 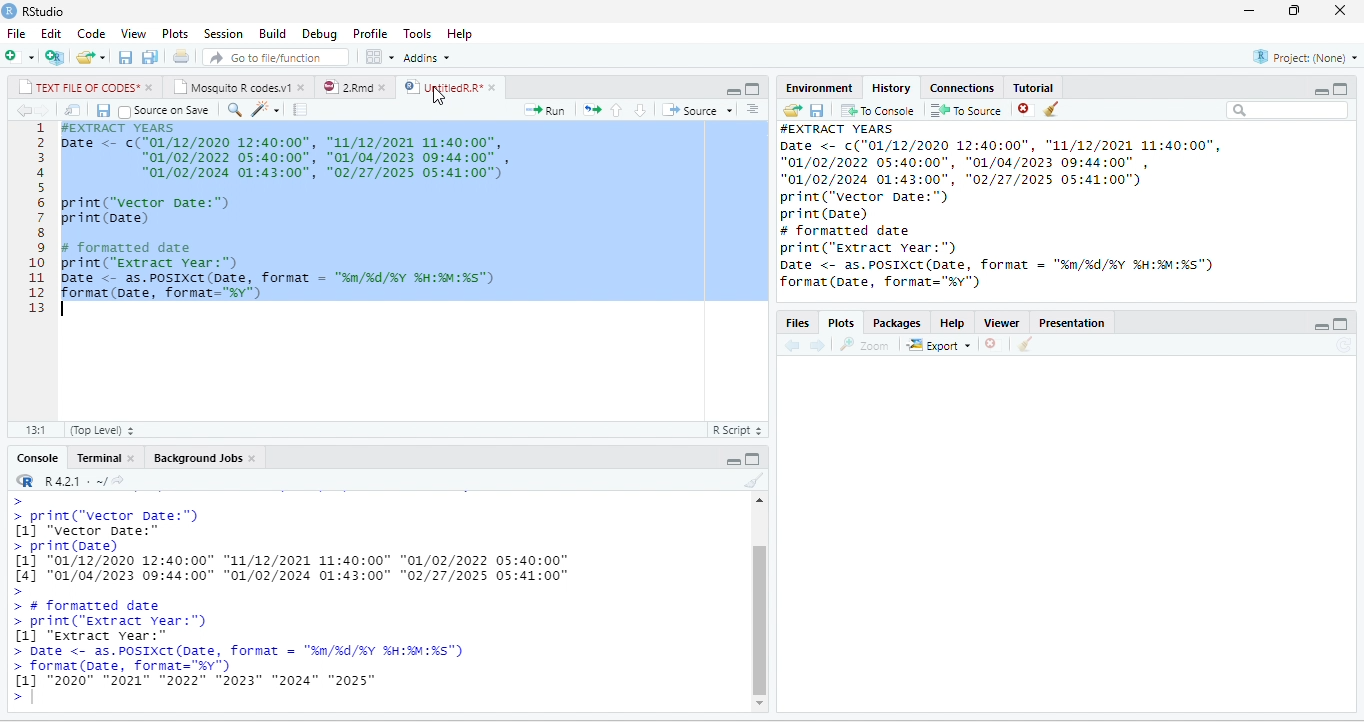 What do you see at coordinates (1341, 324) in the screenshot?
I see `maximize` at bounding box center [1341, 324].